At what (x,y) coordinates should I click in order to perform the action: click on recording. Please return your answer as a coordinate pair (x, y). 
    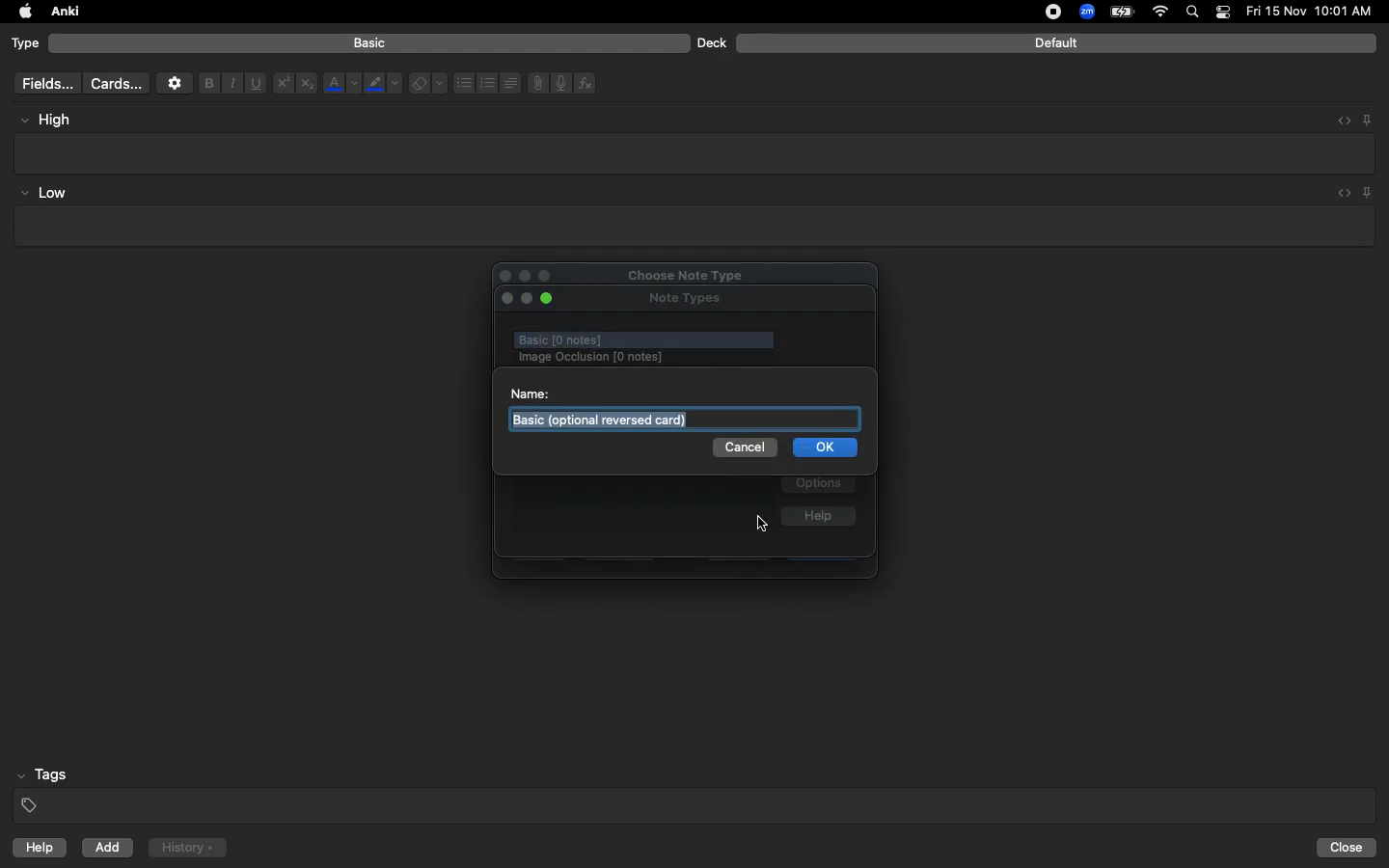
    Looking at the image, I should click on (1042, 12).